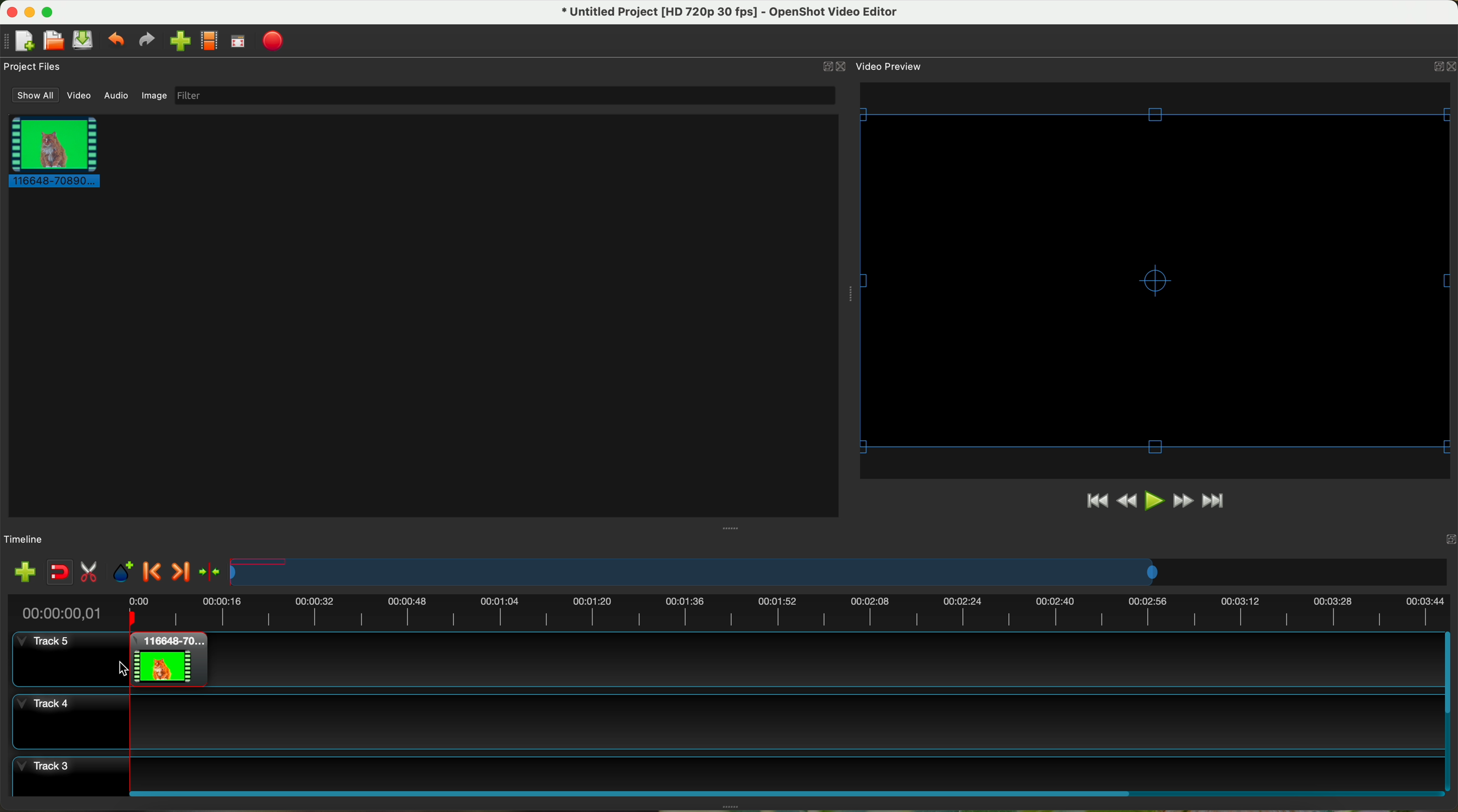  I want to click on next marker, so click(183, 573).